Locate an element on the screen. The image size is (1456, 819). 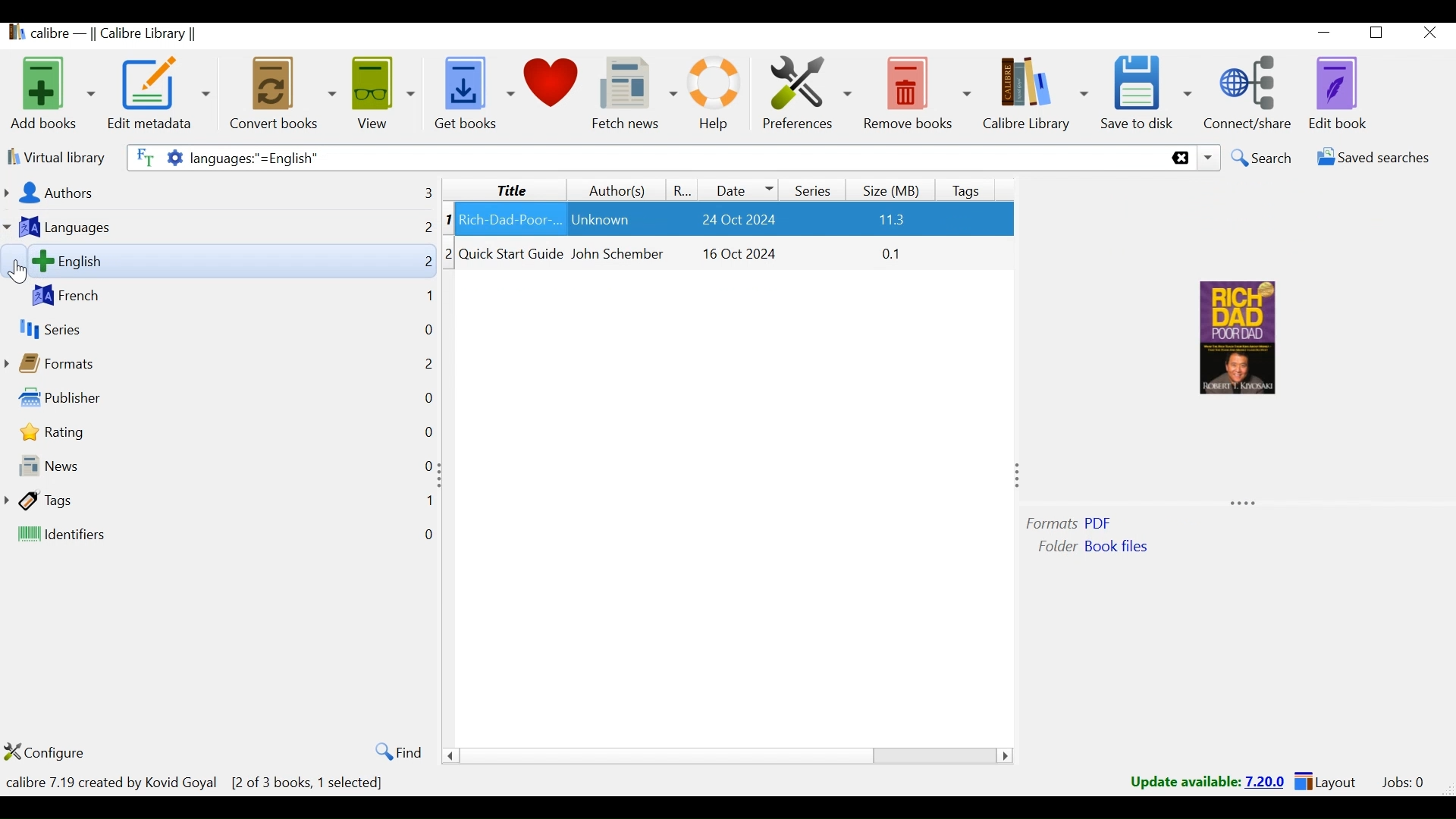
rich dad poor dad is located at coordinates (1229, 340).